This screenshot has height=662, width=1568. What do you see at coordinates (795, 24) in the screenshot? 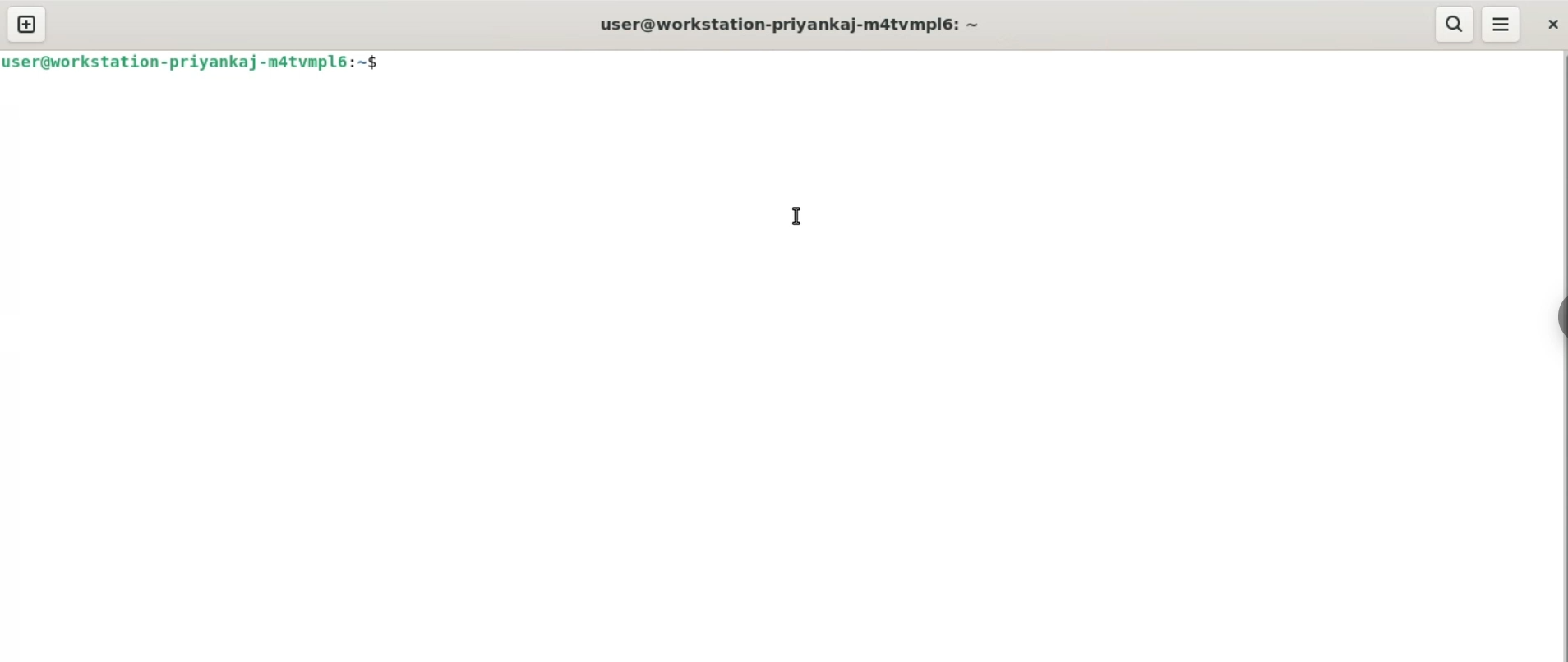
I see `terminal title: user@workstation-priyankaj-m4tvmpl6: ~` at bounding box center [795, 24].